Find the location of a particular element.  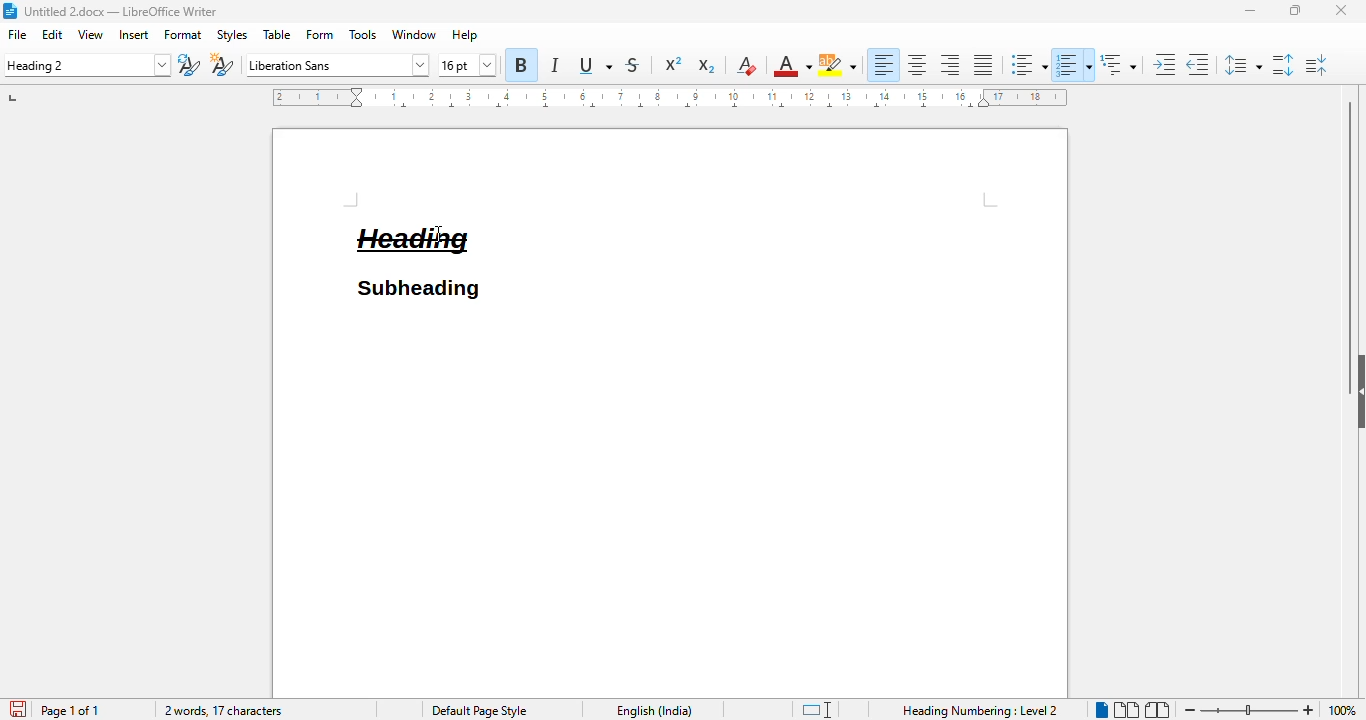

align left is located at coordinates (883, 64).